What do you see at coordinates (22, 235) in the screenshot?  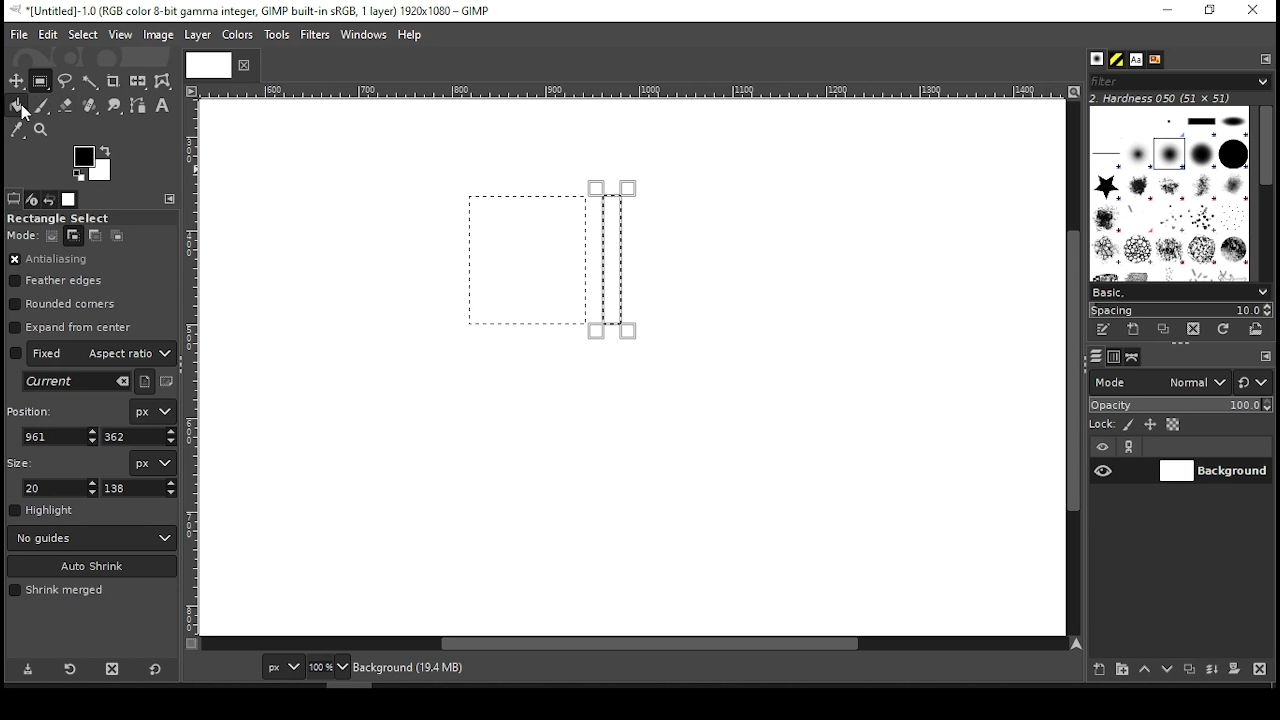 I see `move:` at bounding box center [22, 235].